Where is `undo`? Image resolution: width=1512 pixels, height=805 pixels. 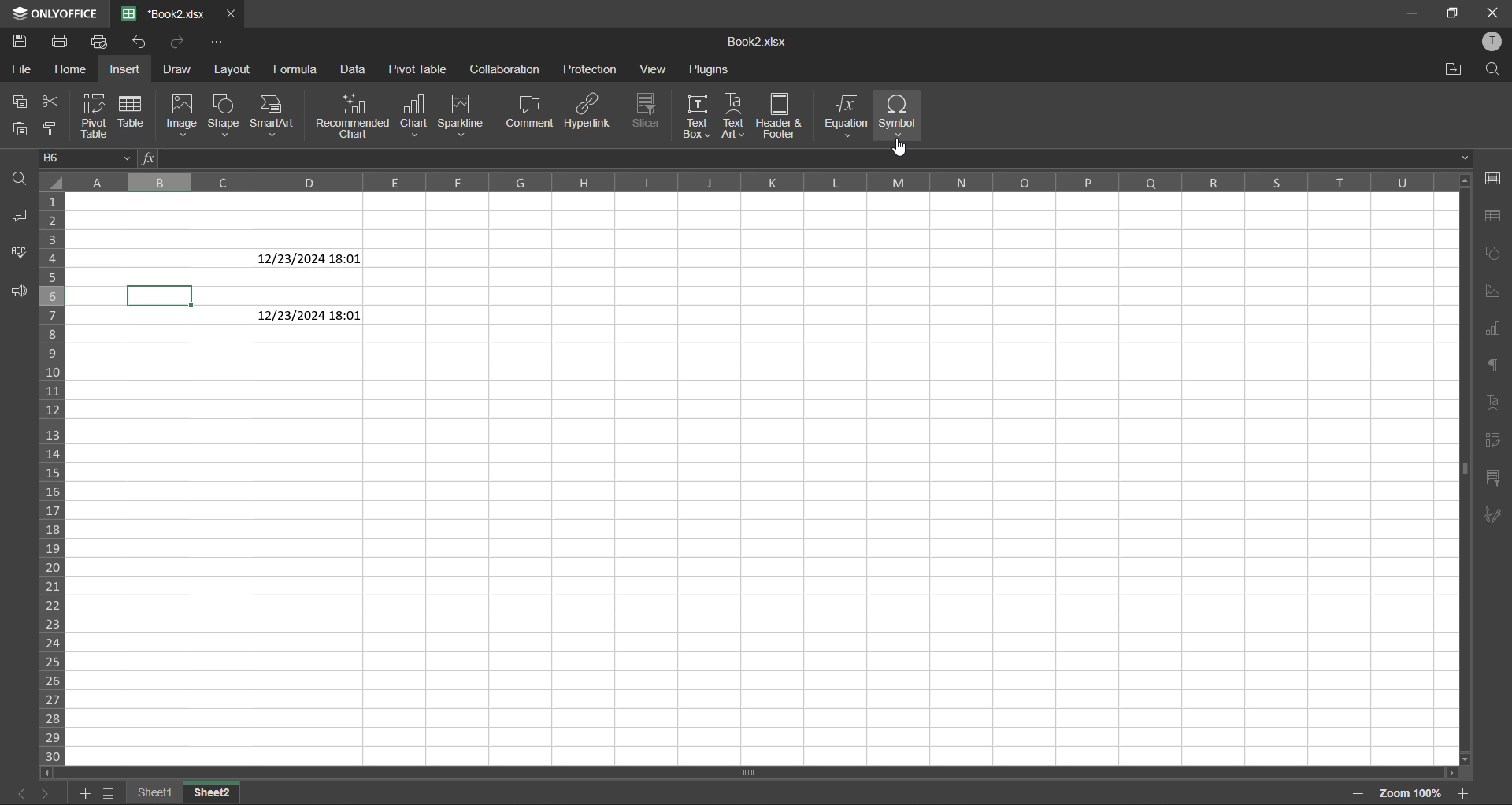
undo is located at coordinates (177, 43).